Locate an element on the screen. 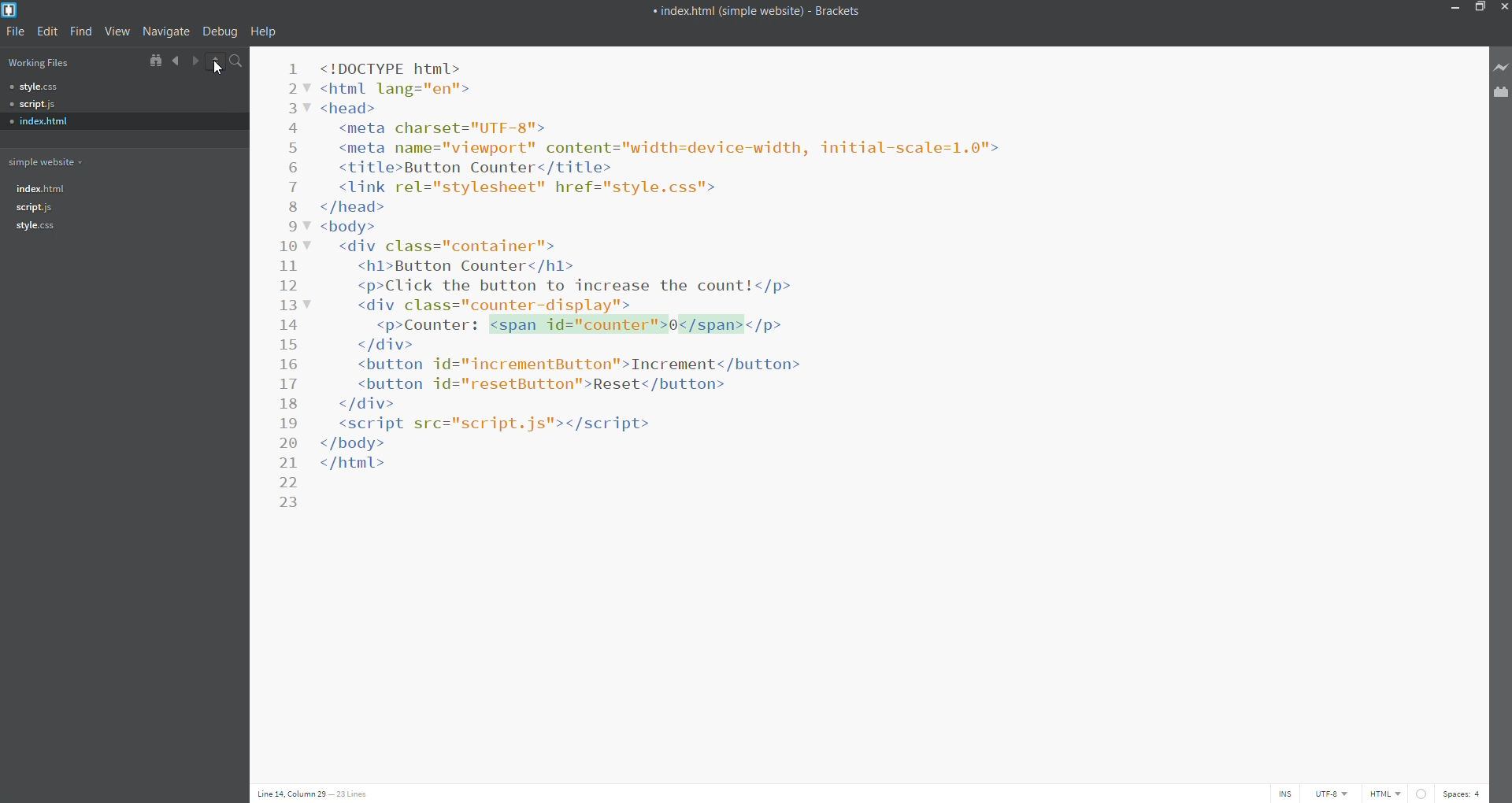  toggle cursor is located at coordinates (1284, 792).